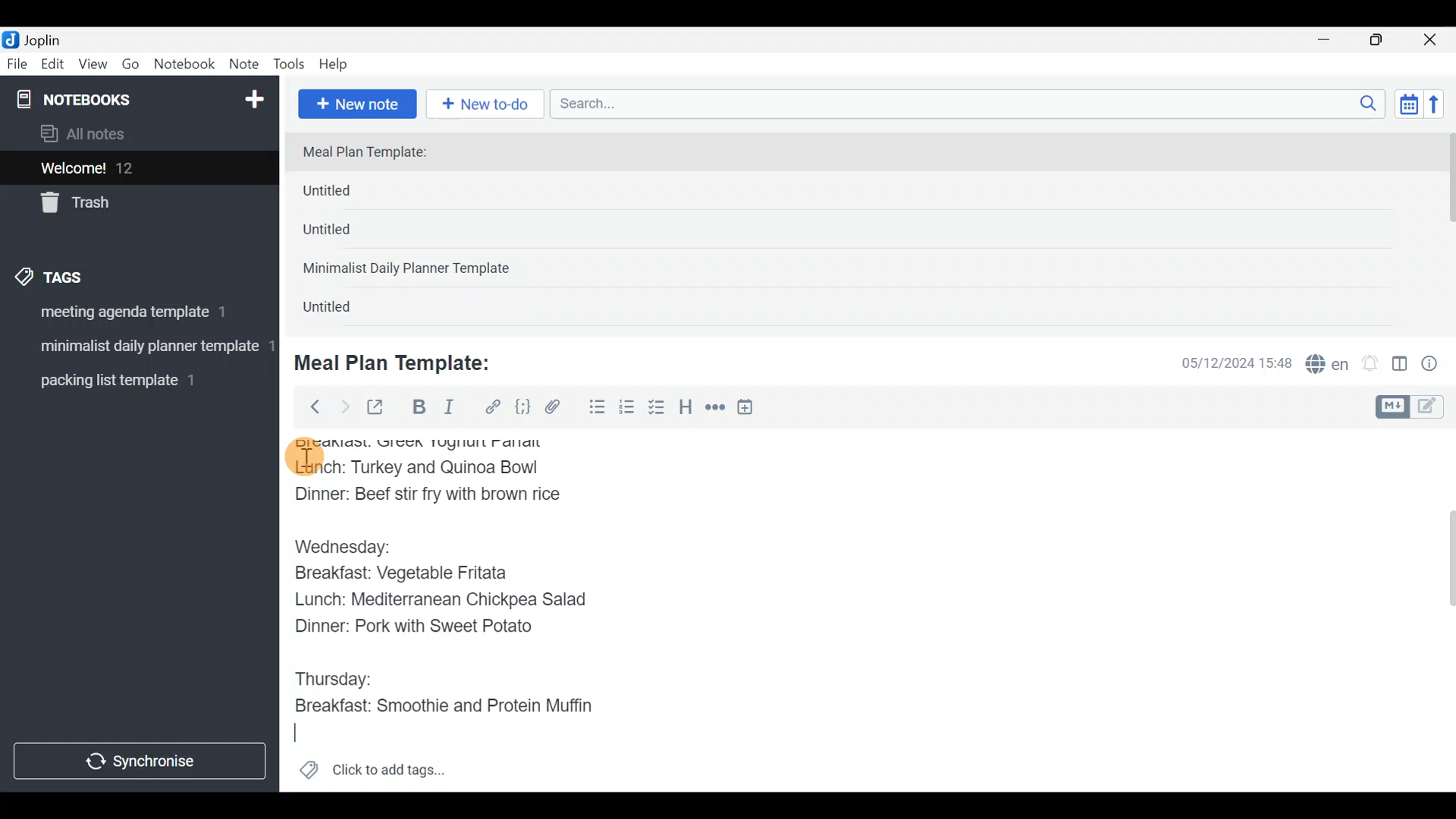 The width and height of the screenshot is (1456, 819). What do you see at coordinates (185, 64) in the screenshot?
I see `Notebook` at bounding box center [185, 64].